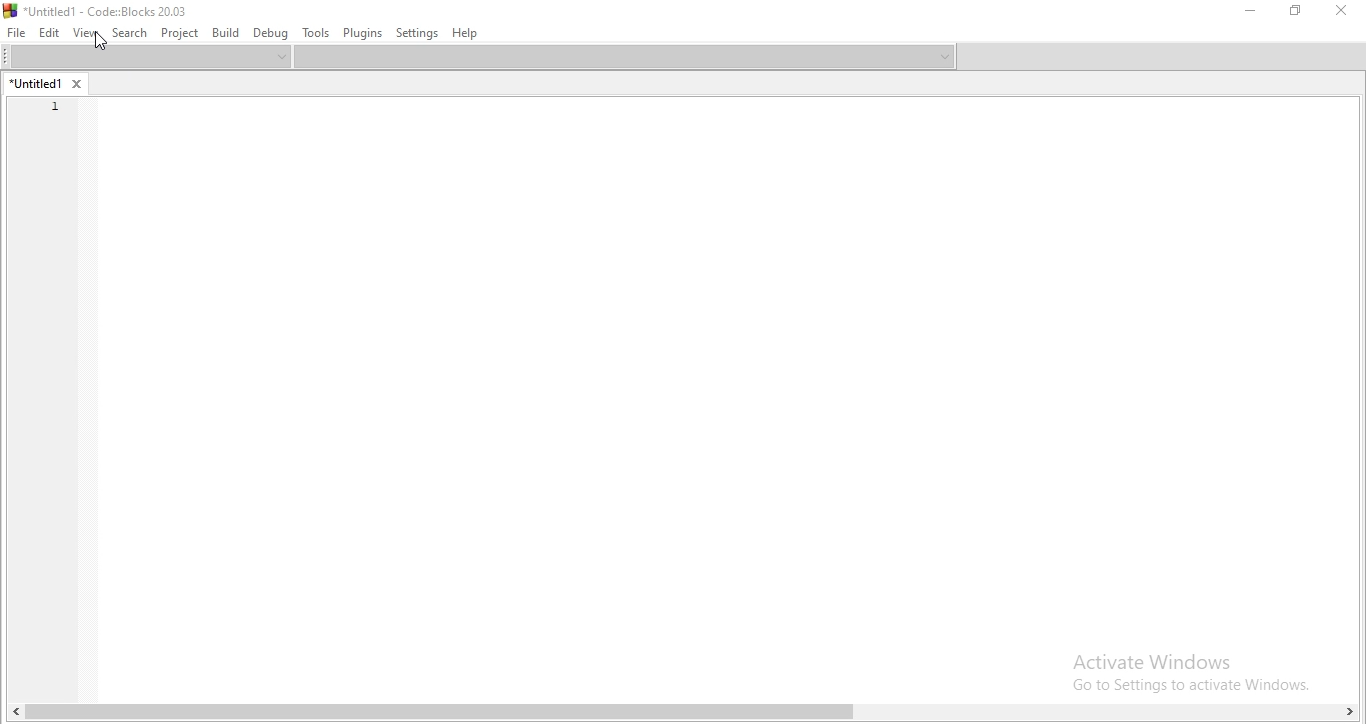 Image resolution: width=1366 pixels, height=724 pixels. I want to click on Close, so click(1337, 14).